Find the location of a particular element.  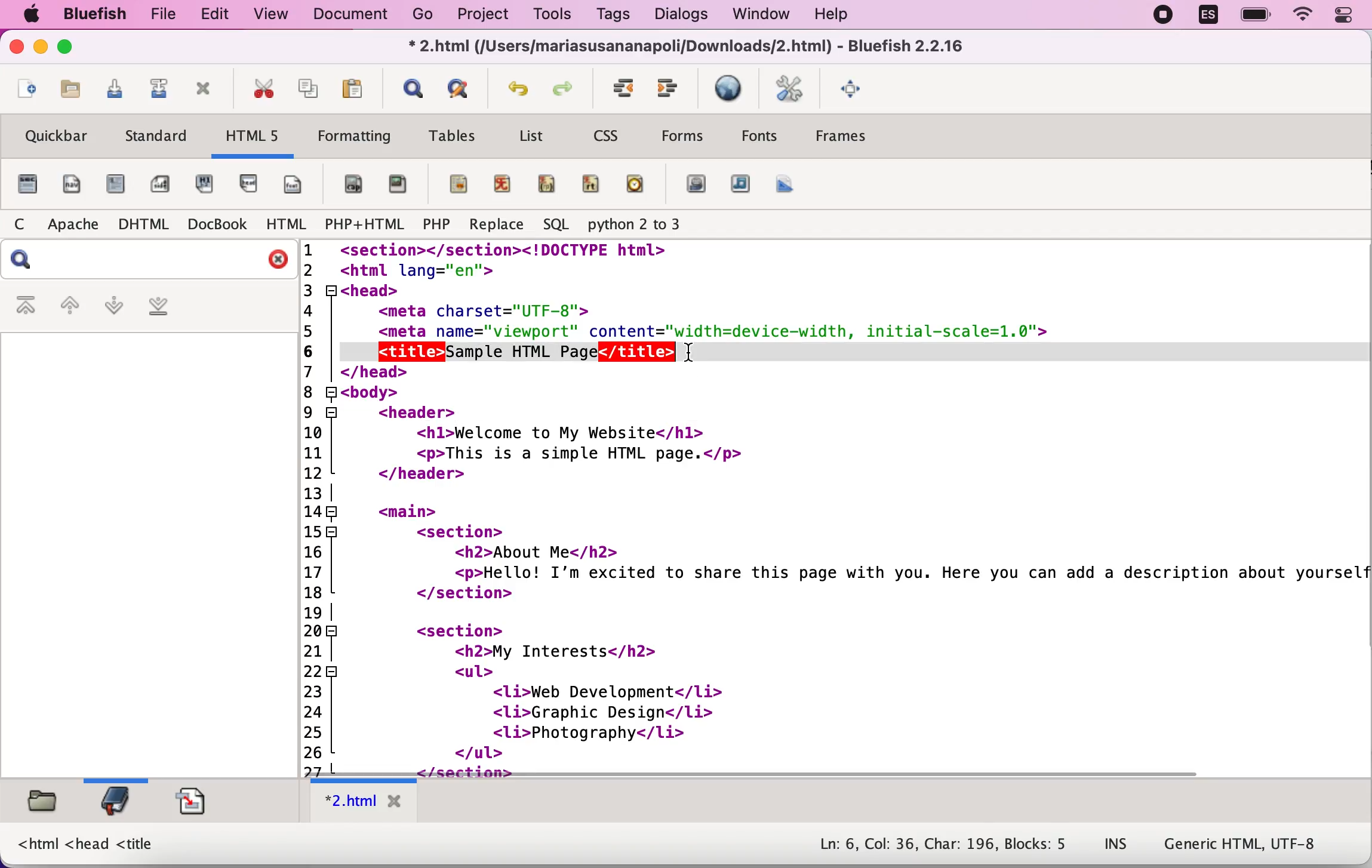

tags is located at coordinates (621, 16).